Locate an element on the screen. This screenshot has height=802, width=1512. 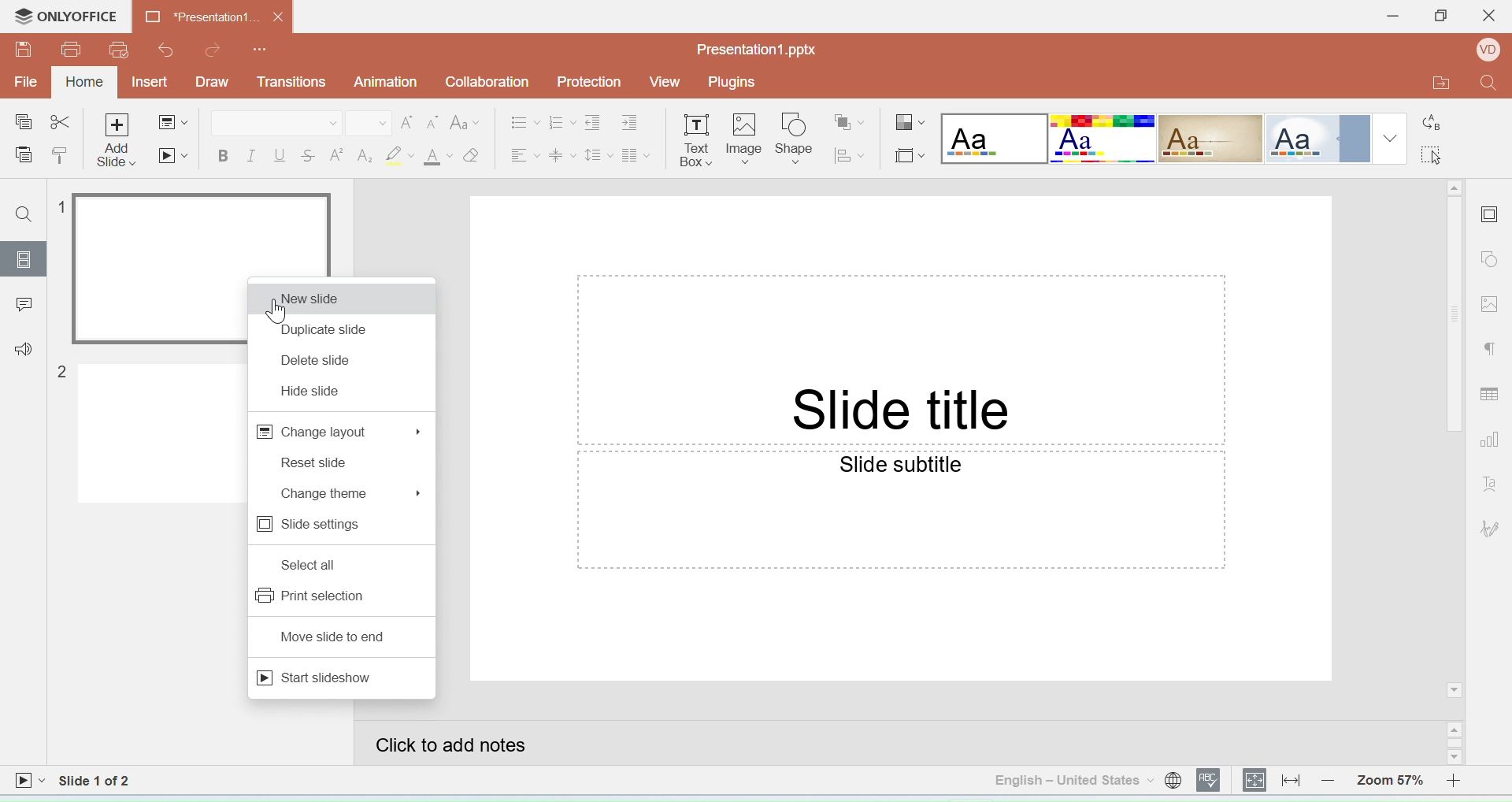
Transitions is located at coordinates (291, 82).